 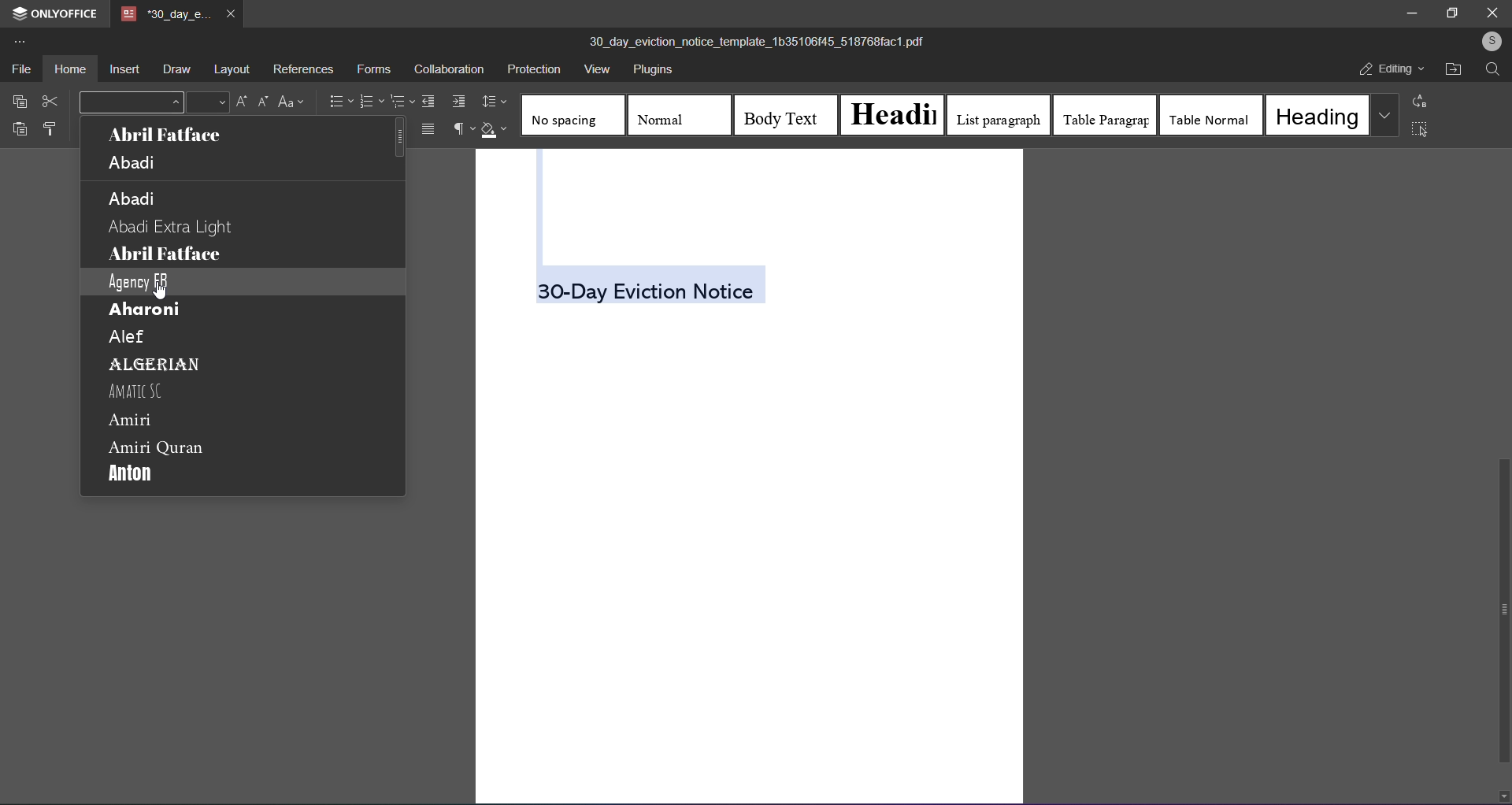 What do you see at coordinates (143, 280) in the screenshot?
I see `agency fb (selected)` at bounding box center [143, 280].